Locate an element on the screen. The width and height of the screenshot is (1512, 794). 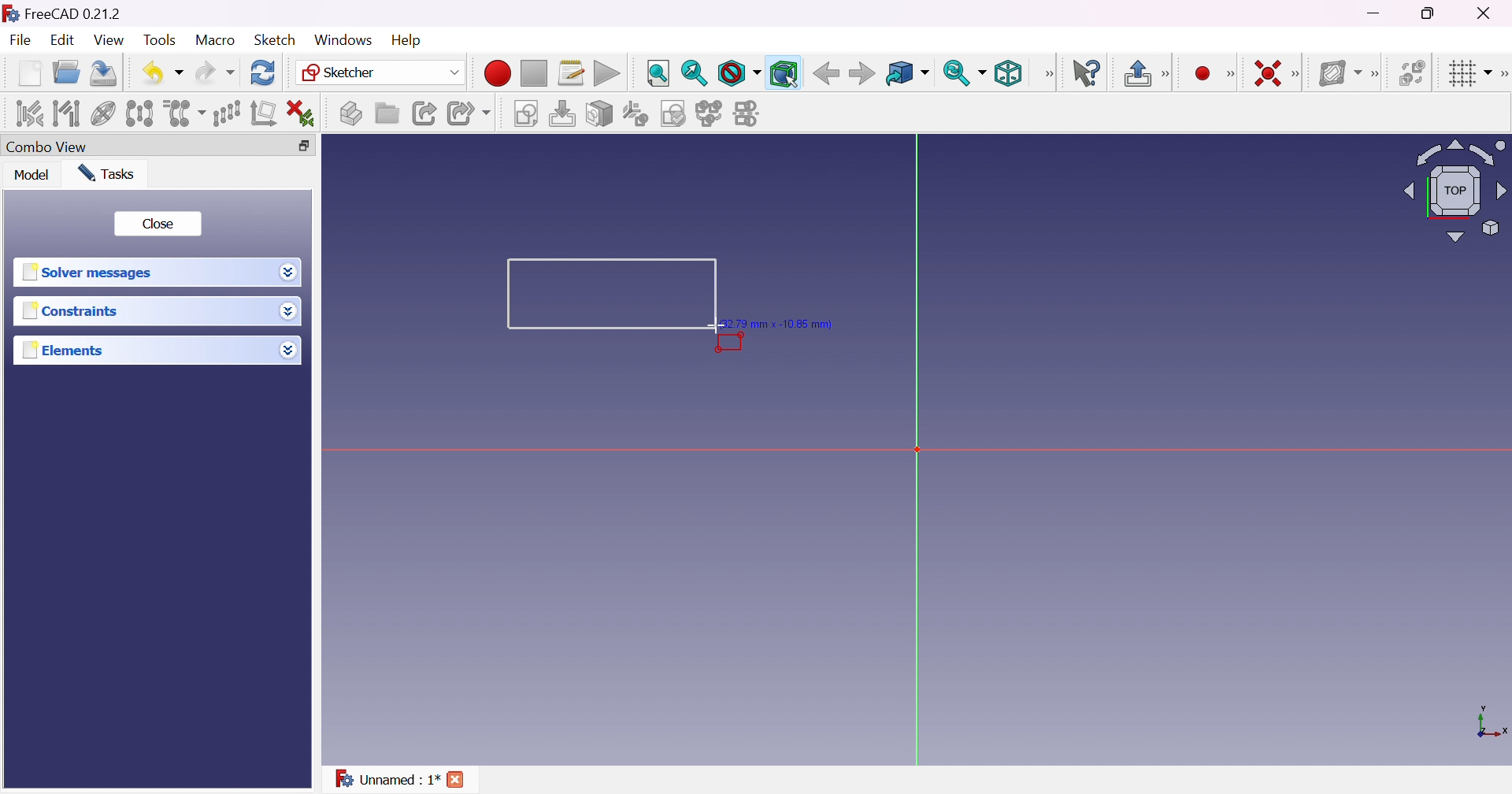
Minimize is located at coordinates (1374, 13).